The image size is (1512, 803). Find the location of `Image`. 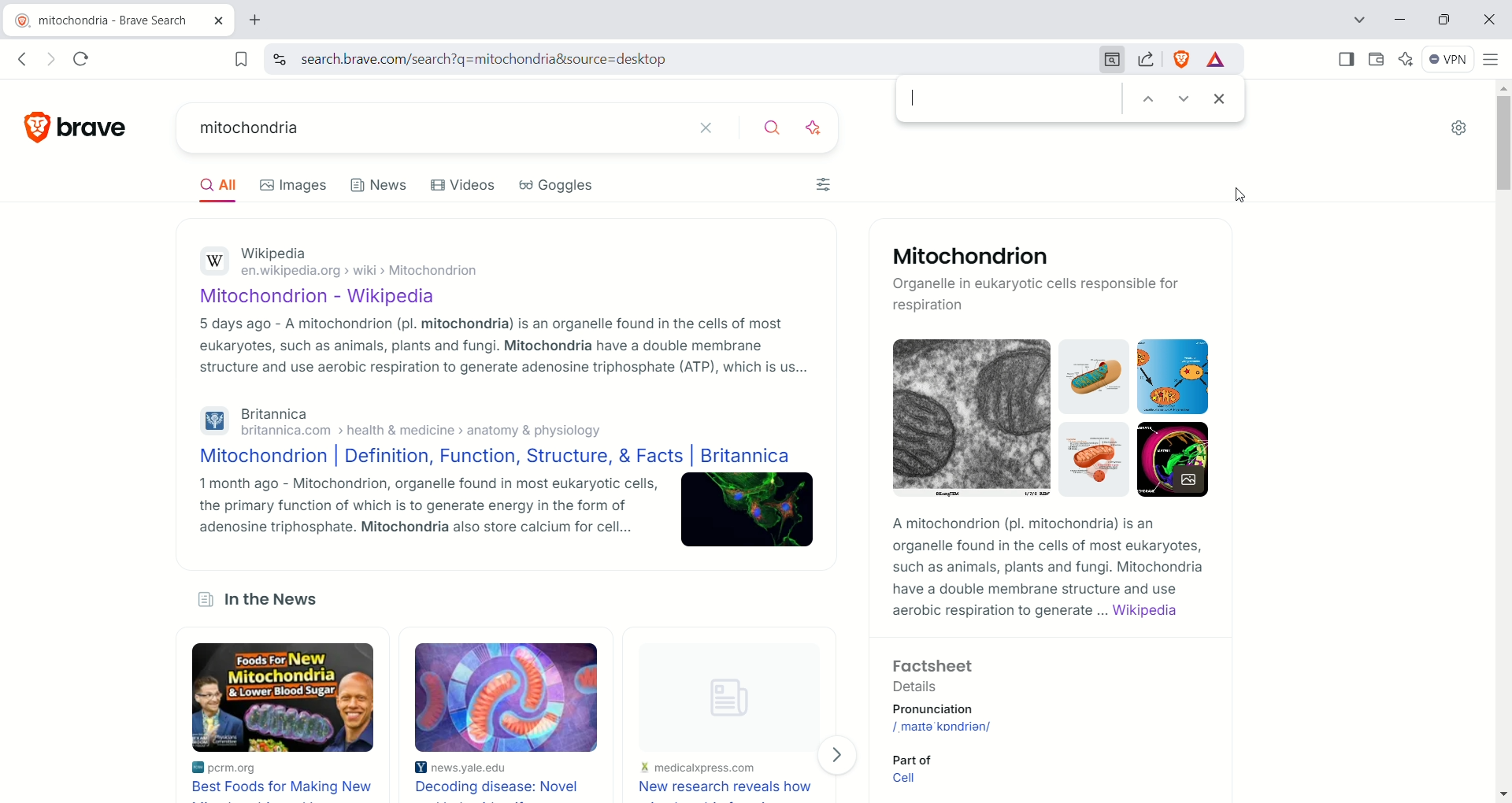

Image is located at coordinates (725, 703).